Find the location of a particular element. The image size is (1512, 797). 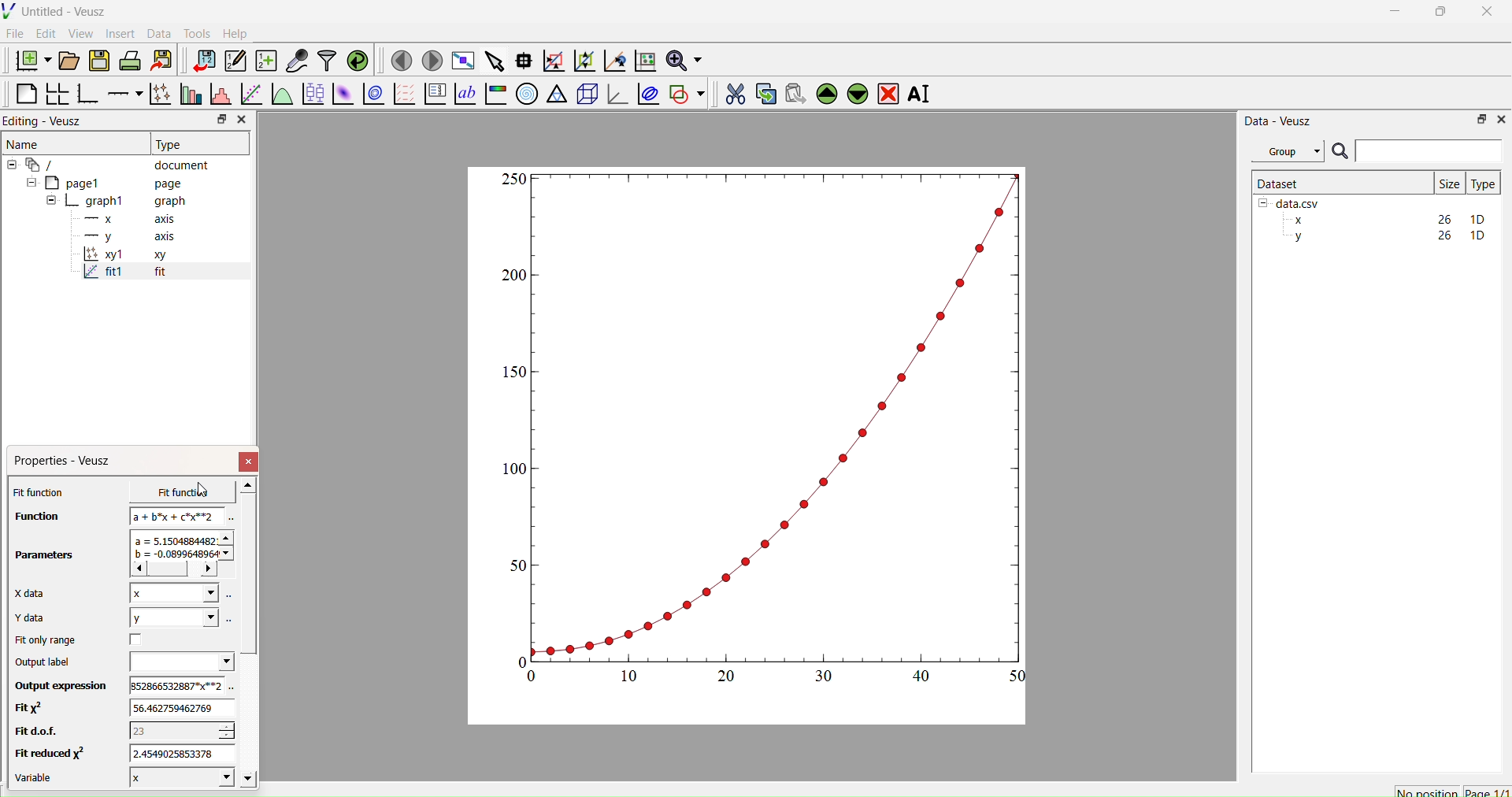

View is located at coordinates (80, 32).